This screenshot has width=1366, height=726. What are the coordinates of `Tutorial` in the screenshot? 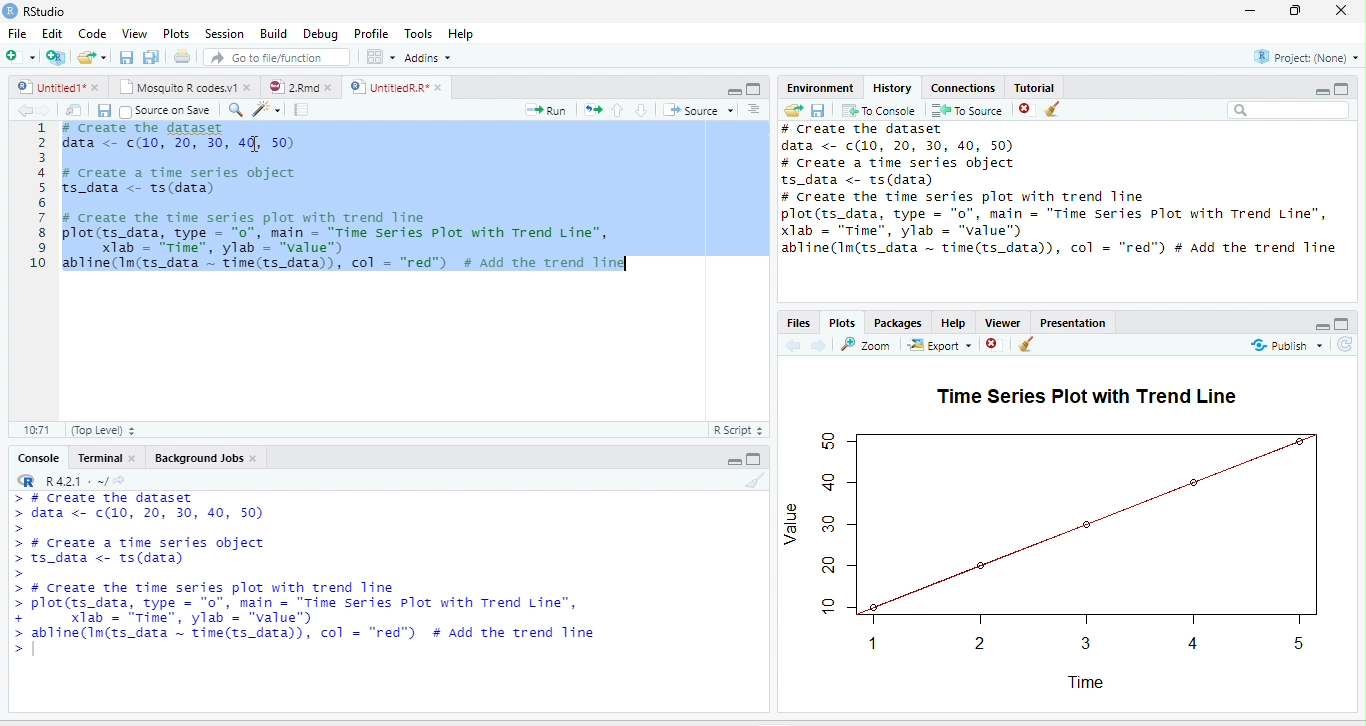 It's located at (1036, 87).